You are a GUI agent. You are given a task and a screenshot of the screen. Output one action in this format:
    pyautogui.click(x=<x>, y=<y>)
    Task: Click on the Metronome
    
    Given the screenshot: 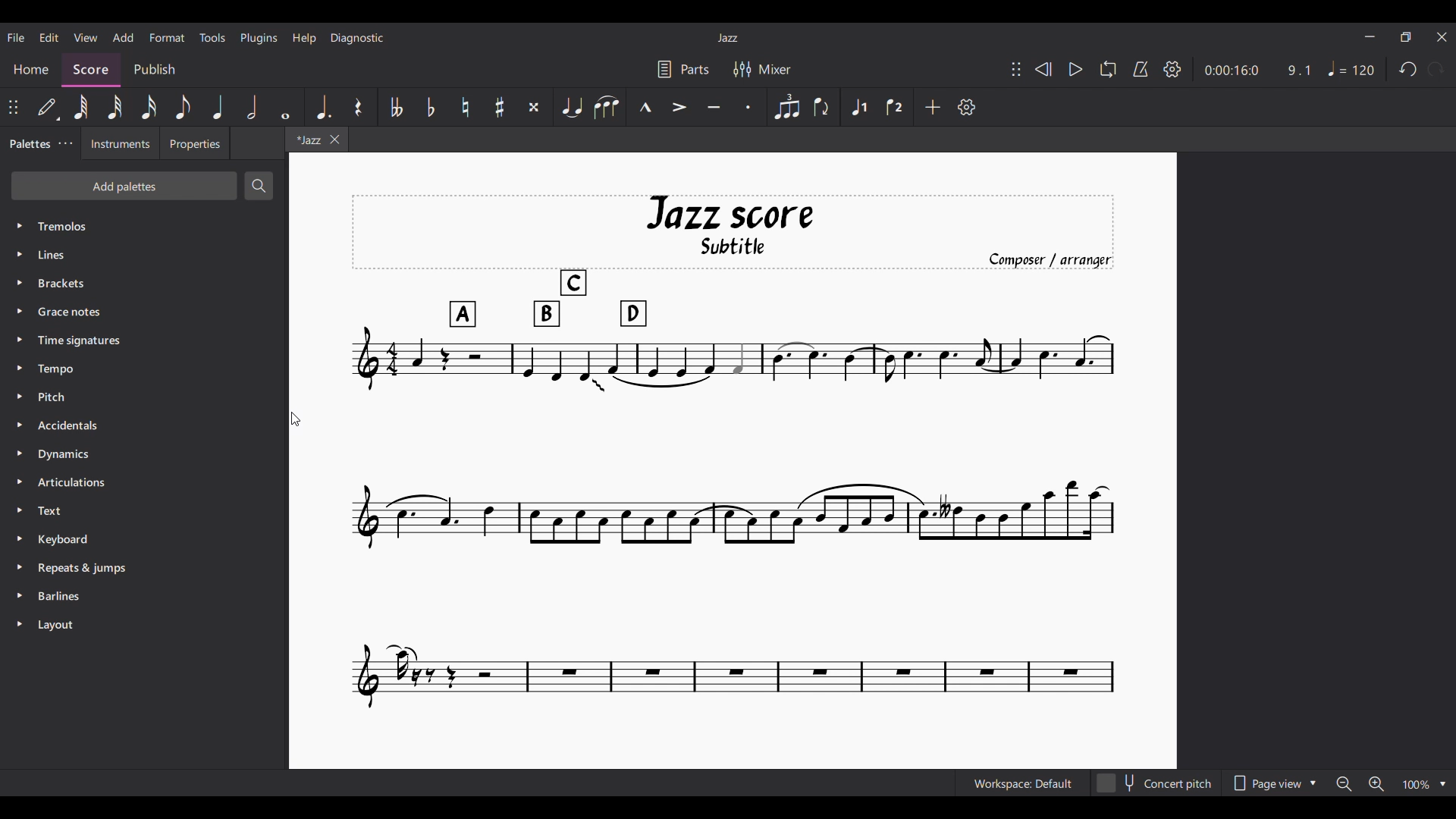 What is the action you would take?
    pyautogui.click(x=1141, y=69)
    